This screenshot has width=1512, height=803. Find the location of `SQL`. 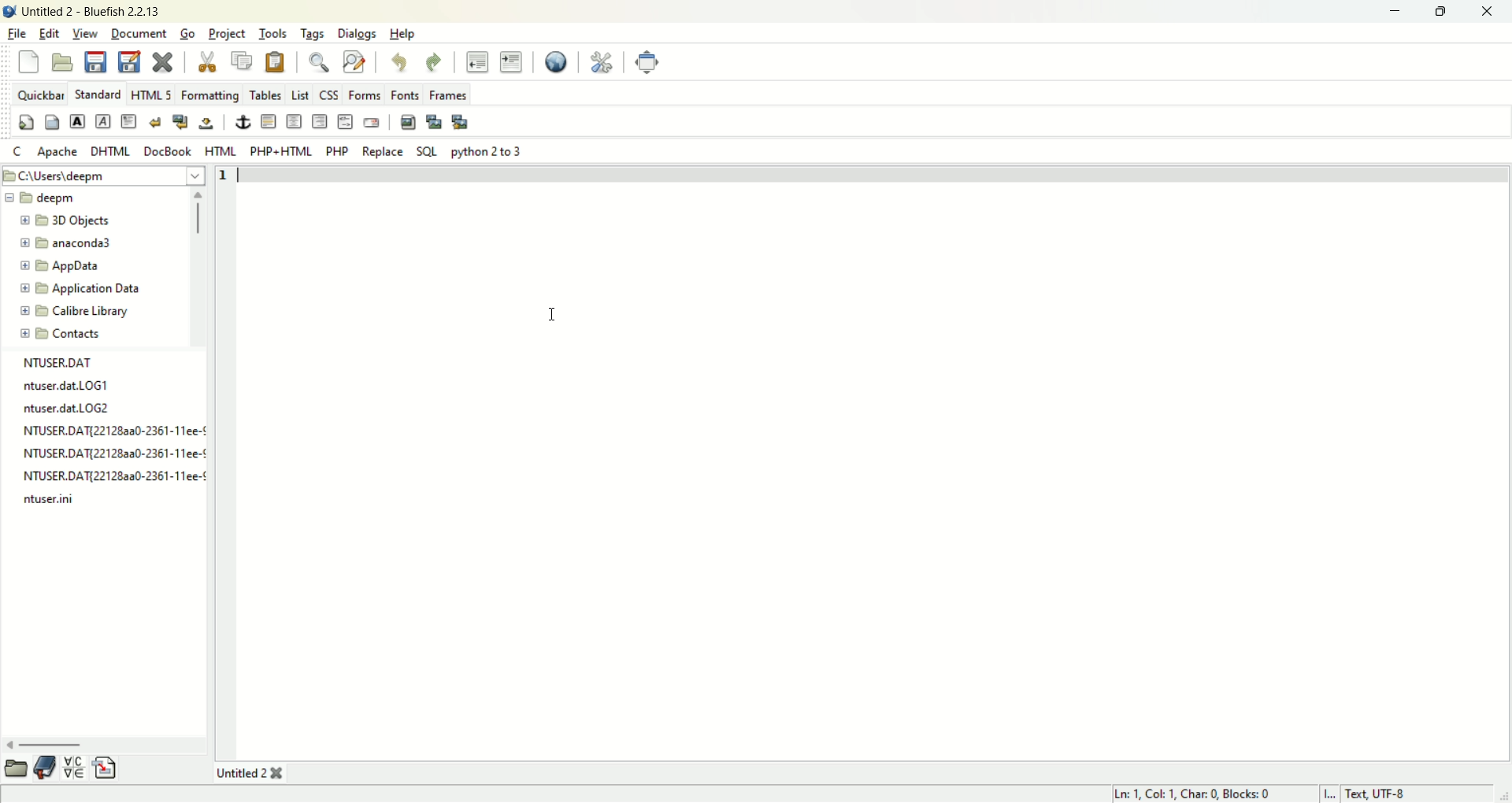

SQL is located at coordinates (426, 151).